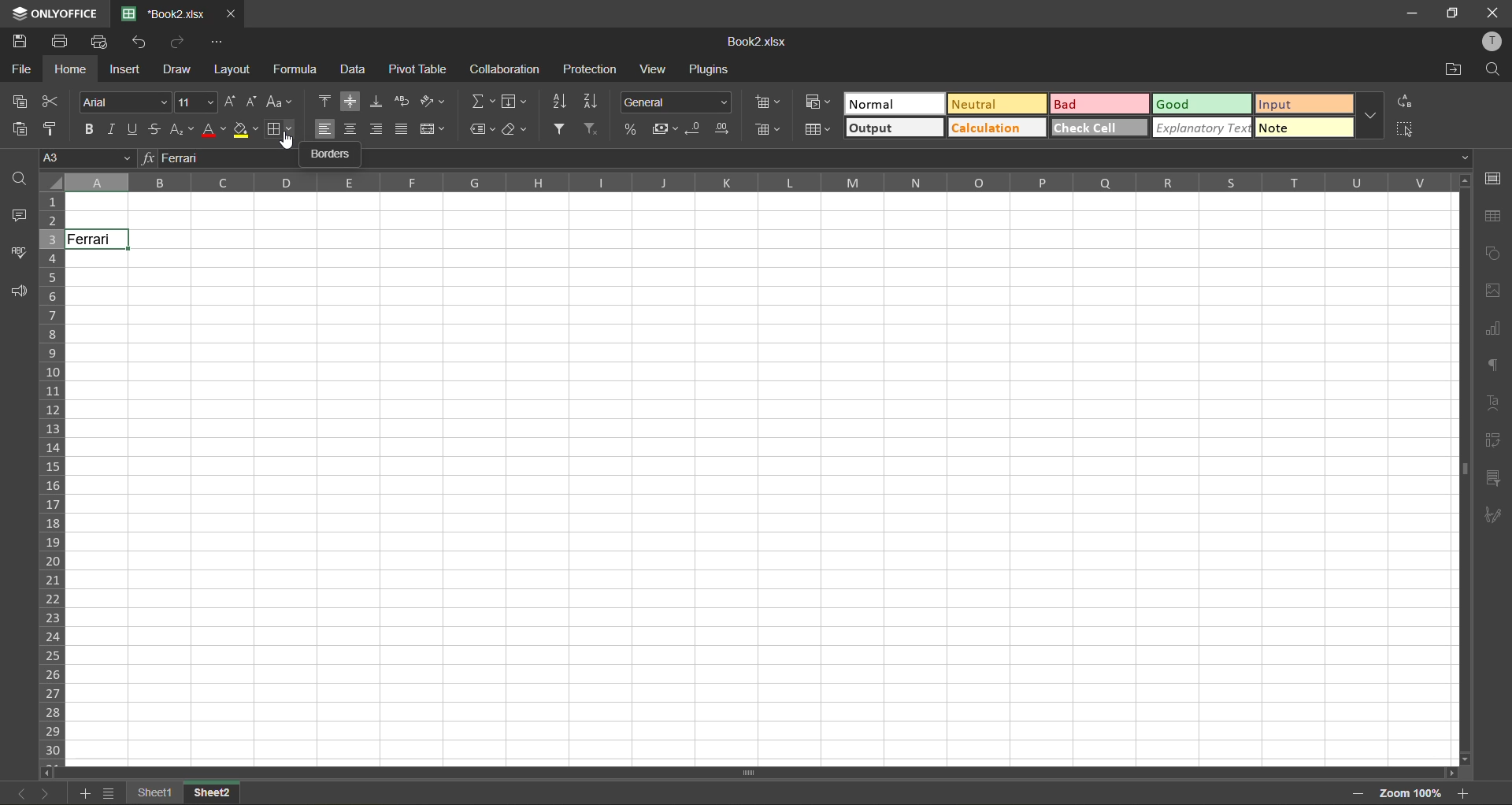 This screenshot has height=805, width=1512. Describe the element at coordinates (99, 43) in the screenshot. I see `quick print` at that location.